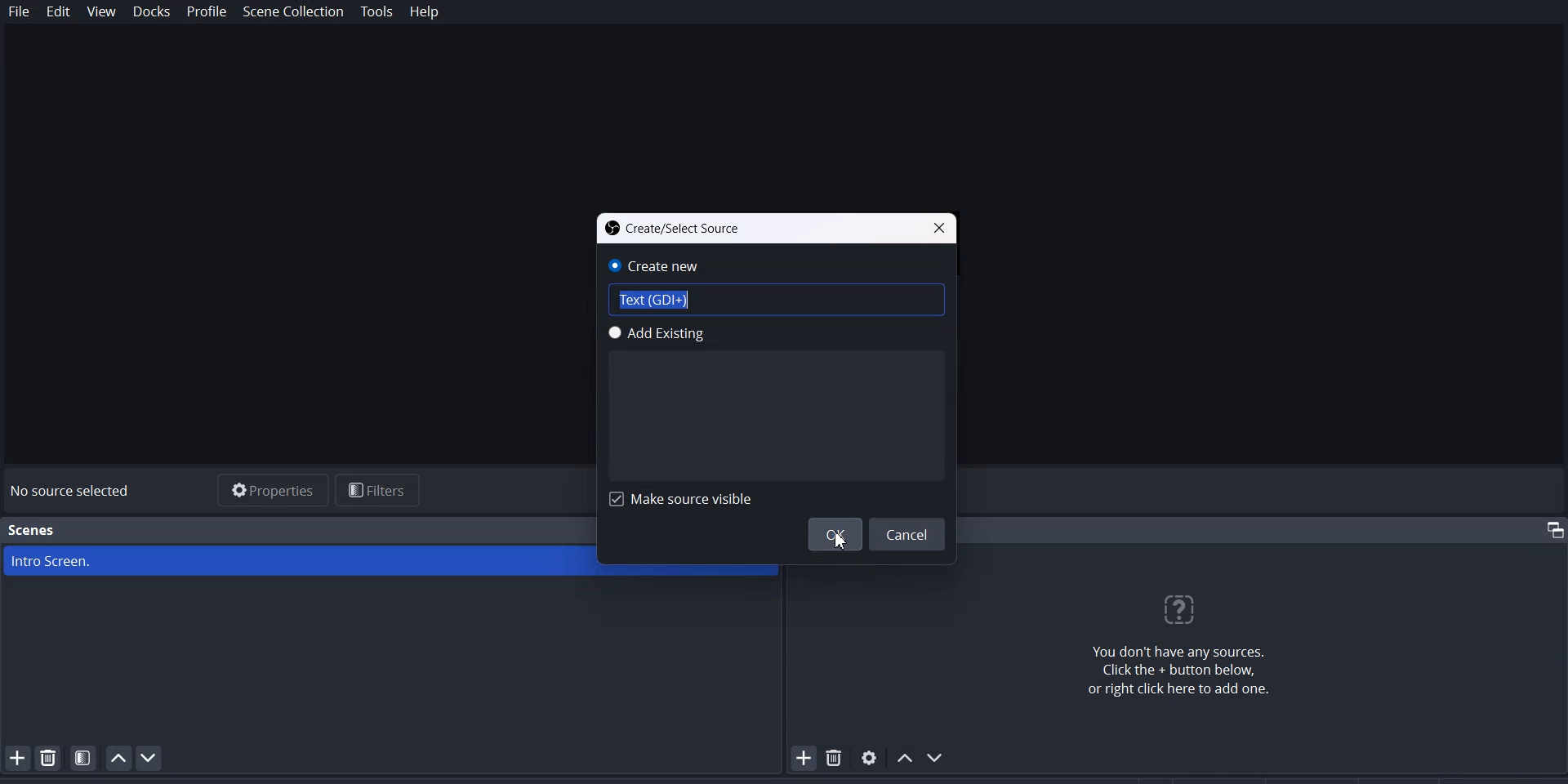  What do you see at coordinates (78, 492) in the screenshot?
I see `No source selected` at bounding box center [78, 492].